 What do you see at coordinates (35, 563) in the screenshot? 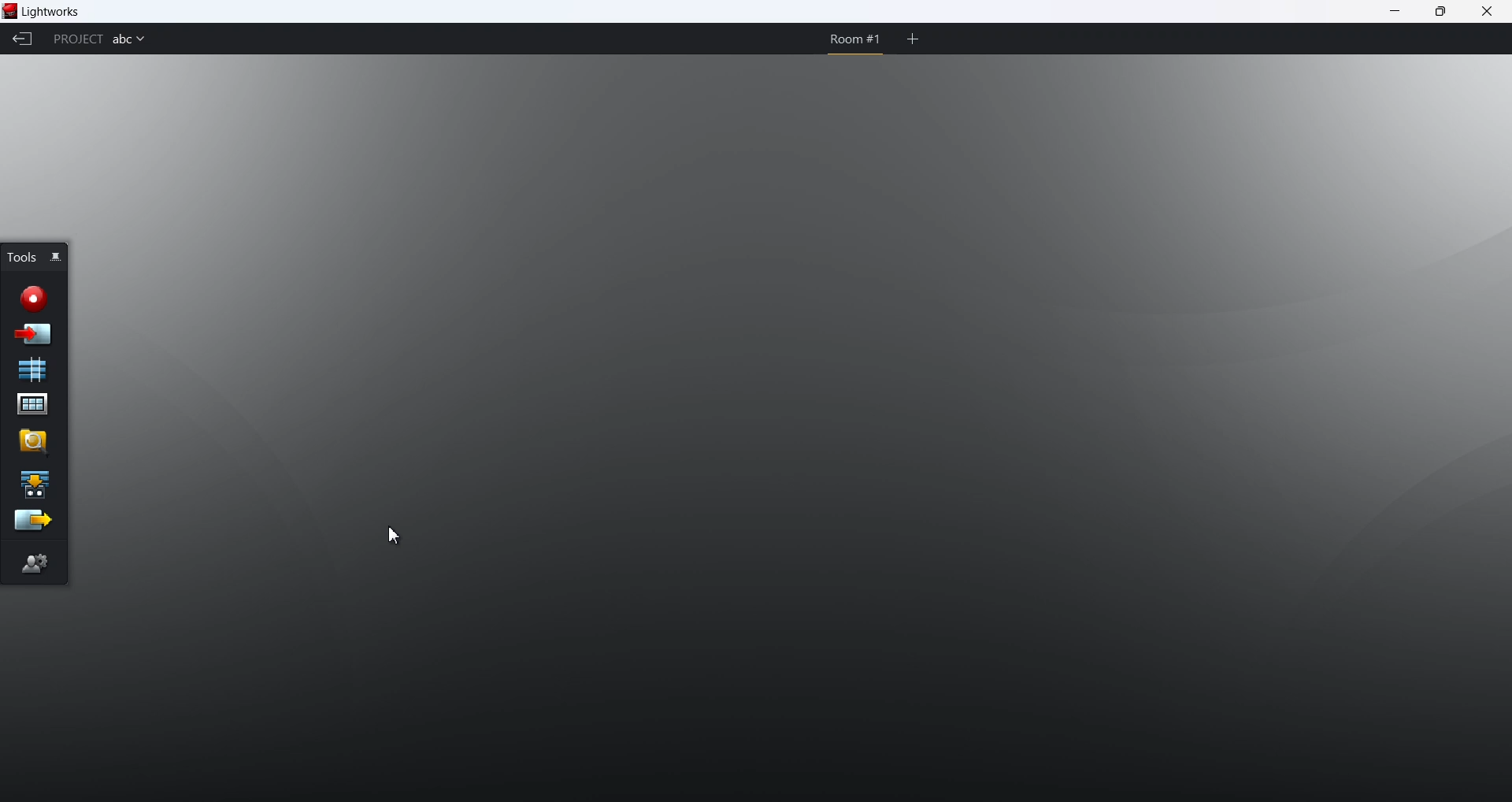
I see `editor preference` at bounding box center [35, 563].